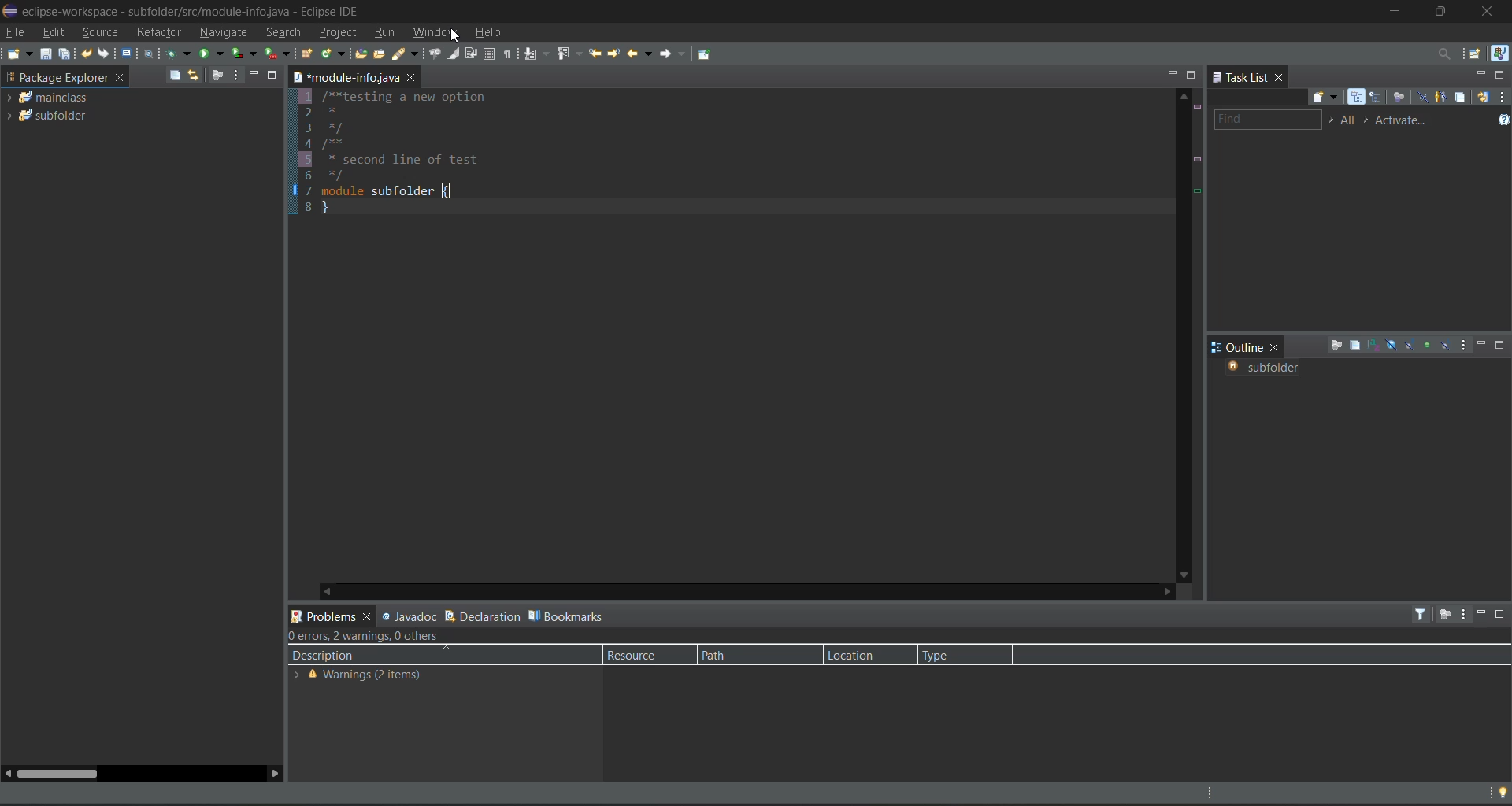  What do you see at coordinates (1269, 368) in the screenshot?
I see `subfolder` at bounding box center [1269, 368].